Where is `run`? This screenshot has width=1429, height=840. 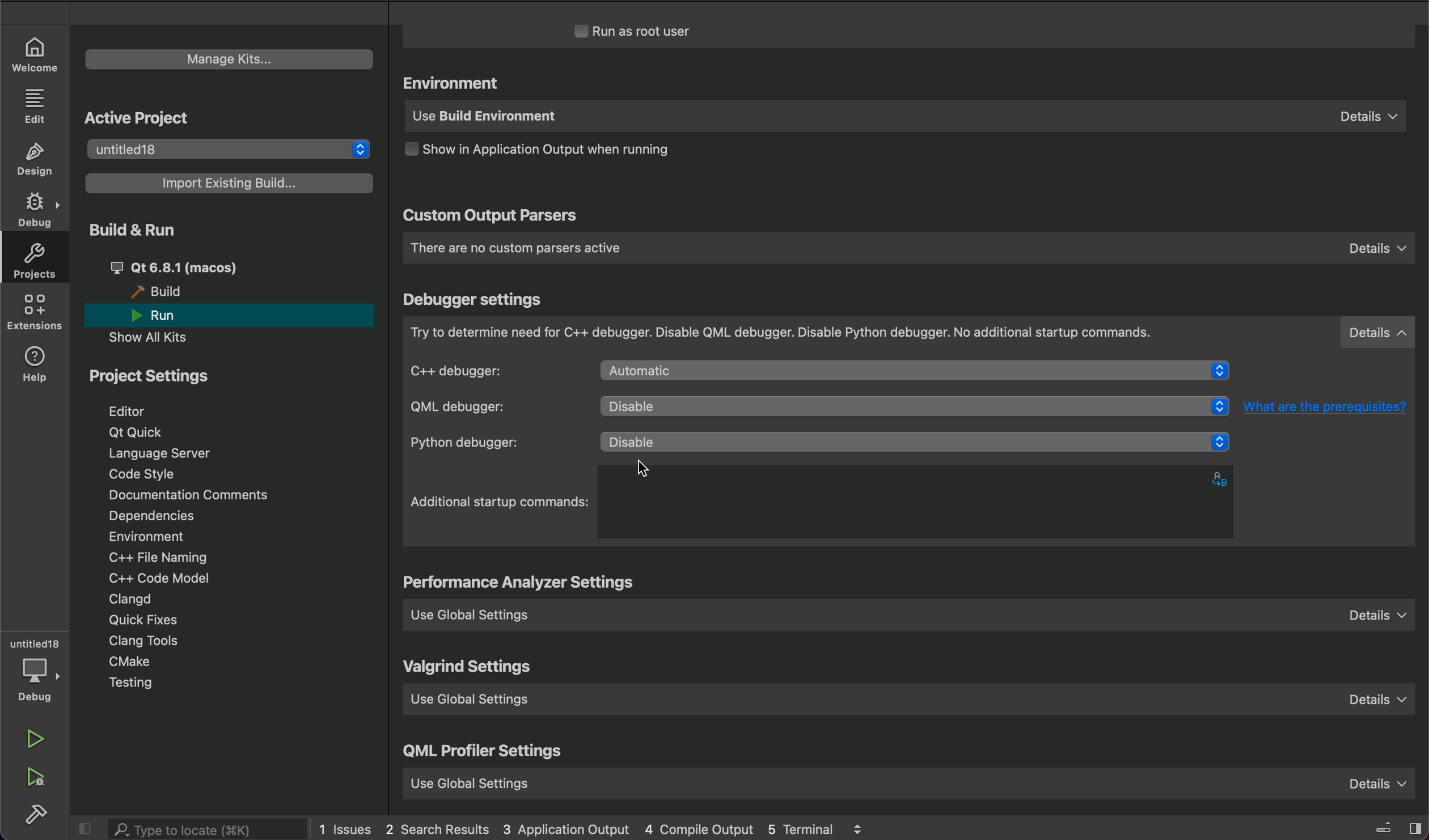
run is located at coordinates (166, 316).